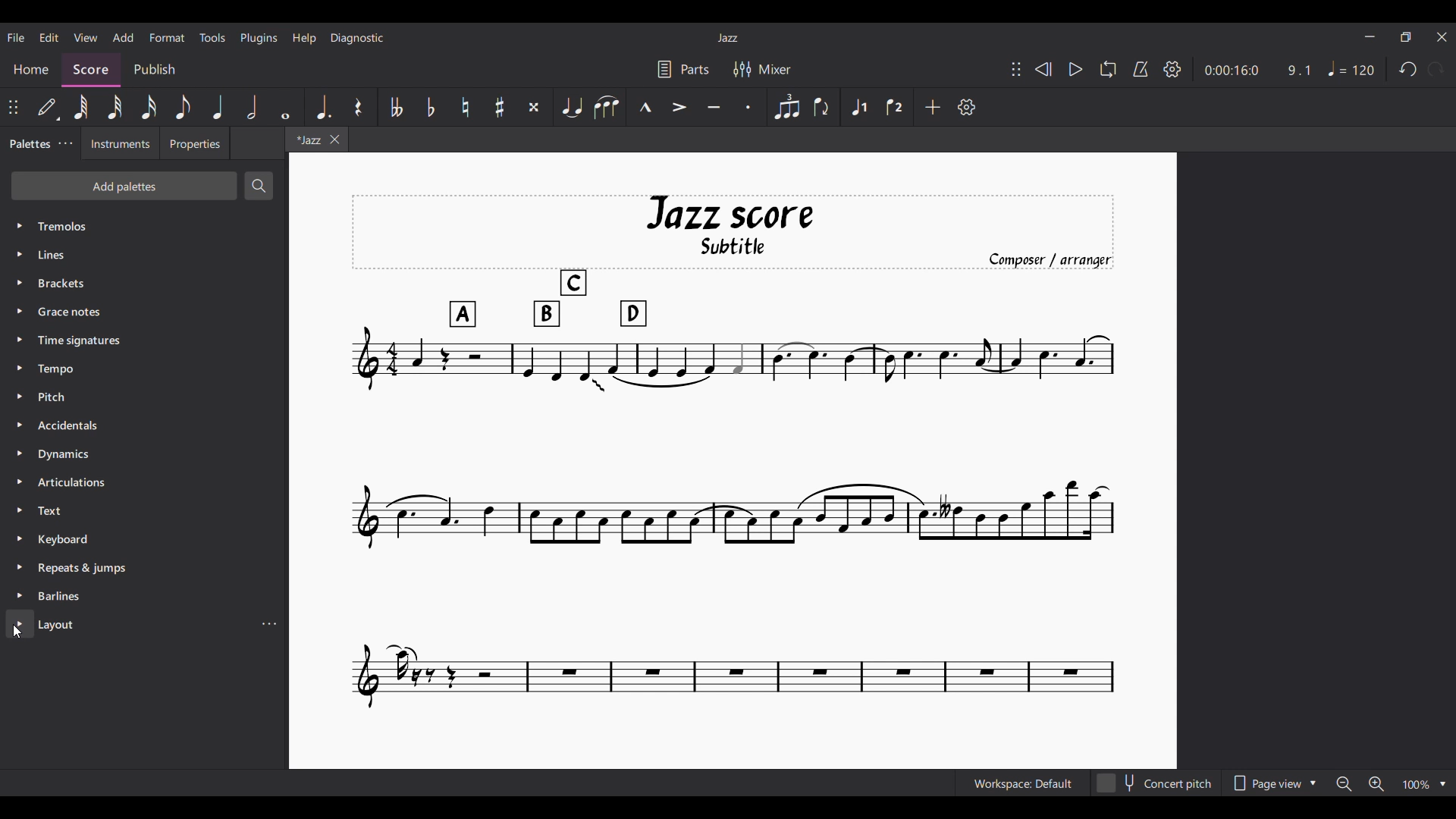 Image resolution: width=1456 pixels, height=819 pixels. Describe the element at coordinates (431, 107) in the screenshot. I see `Toggle flat` at that location.